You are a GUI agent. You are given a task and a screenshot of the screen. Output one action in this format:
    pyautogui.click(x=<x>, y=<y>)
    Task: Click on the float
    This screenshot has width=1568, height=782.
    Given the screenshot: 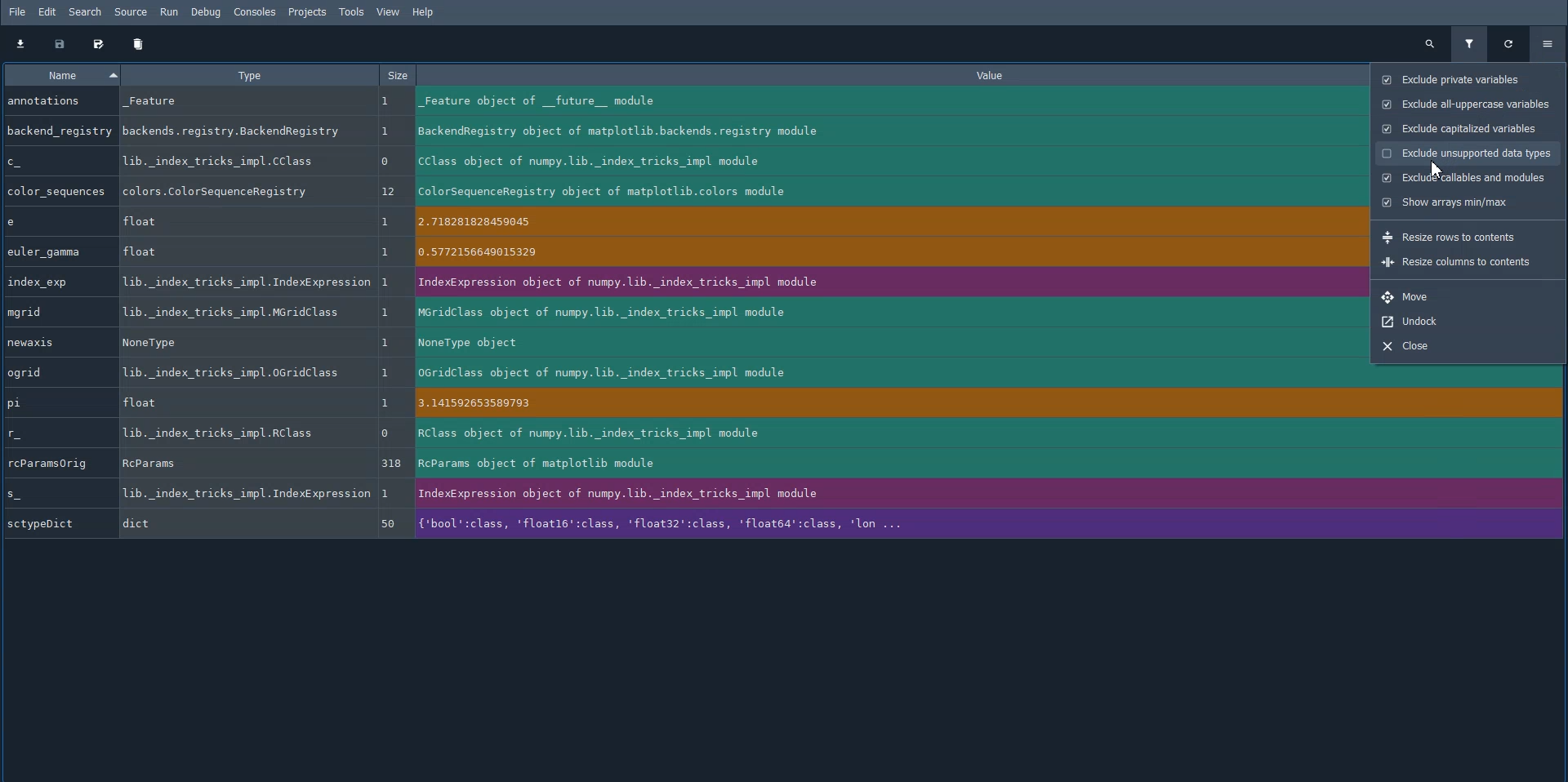 What is the action you would take?
    pyautogui.click(x=236, y=251)
    